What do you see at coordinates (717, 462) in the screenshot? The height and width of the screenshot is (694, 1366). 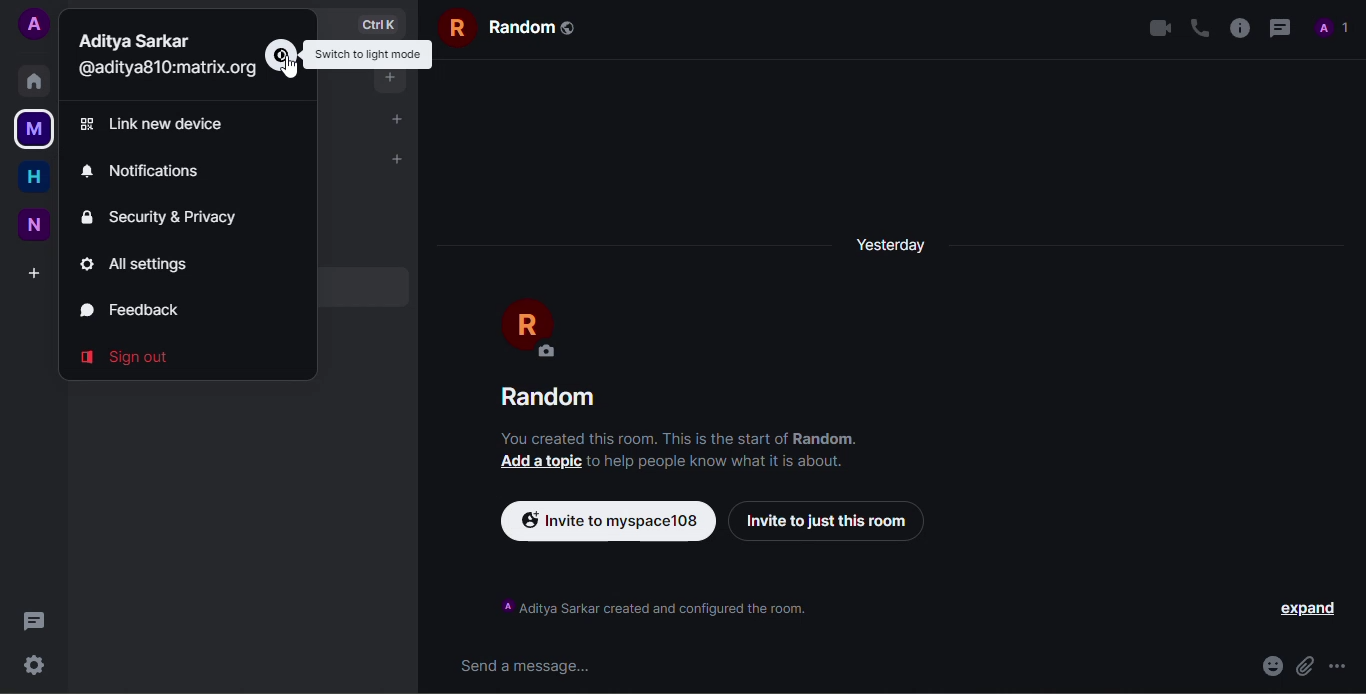 I see `info` at bounding box center [717, 462].